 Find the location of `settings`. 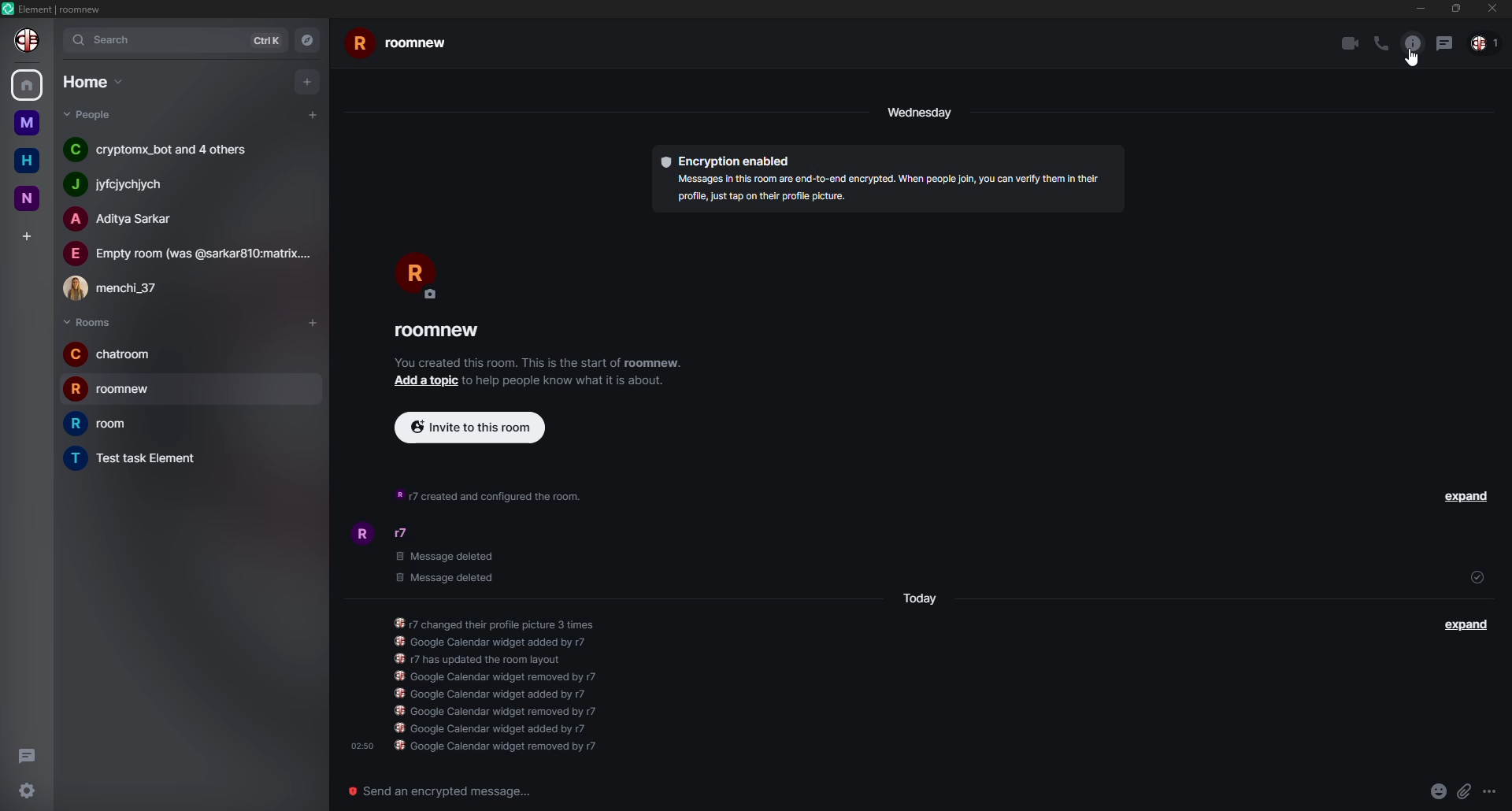

settings is located at coordinates (24, 791).